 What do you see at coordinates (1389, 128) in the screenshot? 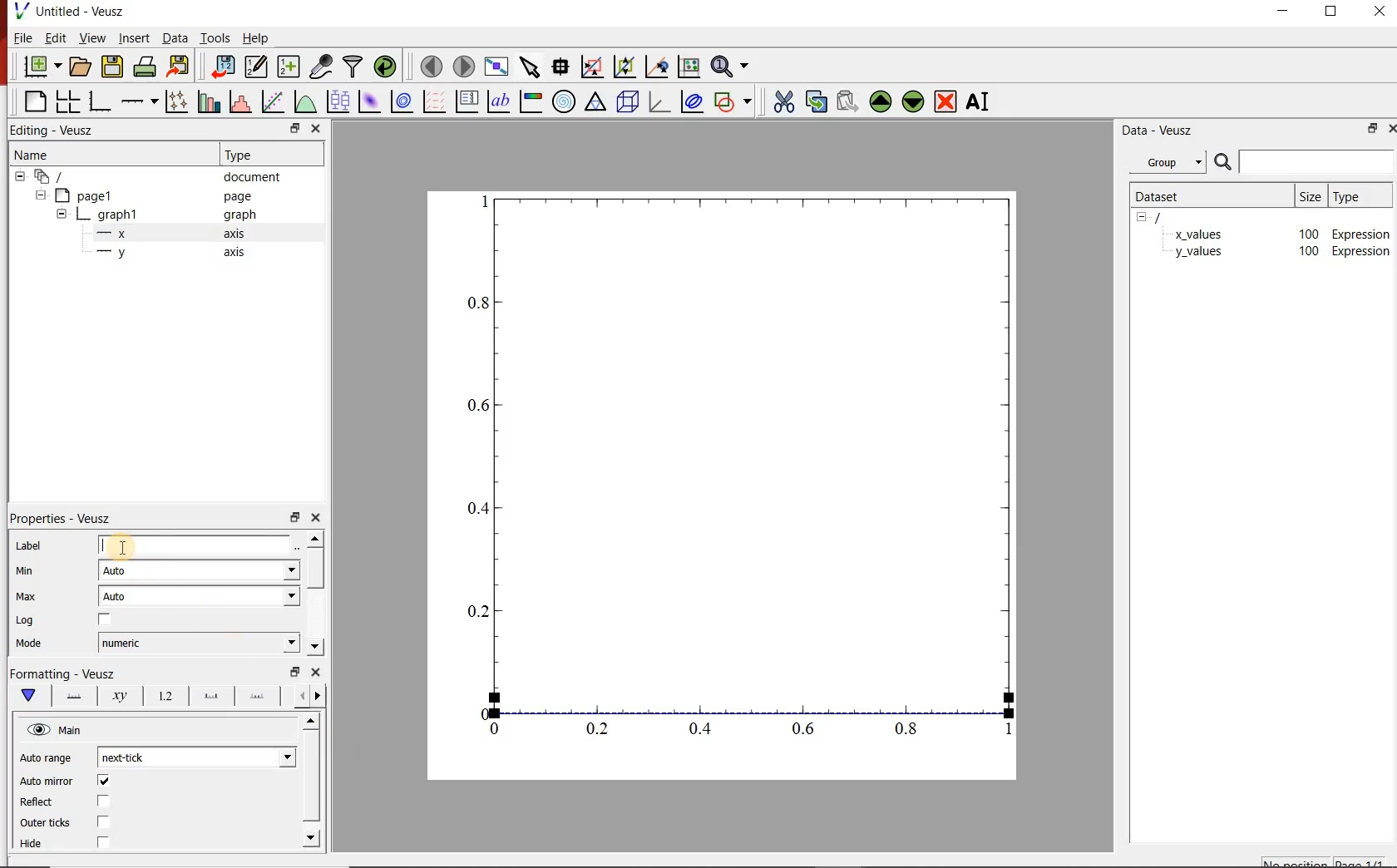
I see `close` at bounding box center [1389, 128].